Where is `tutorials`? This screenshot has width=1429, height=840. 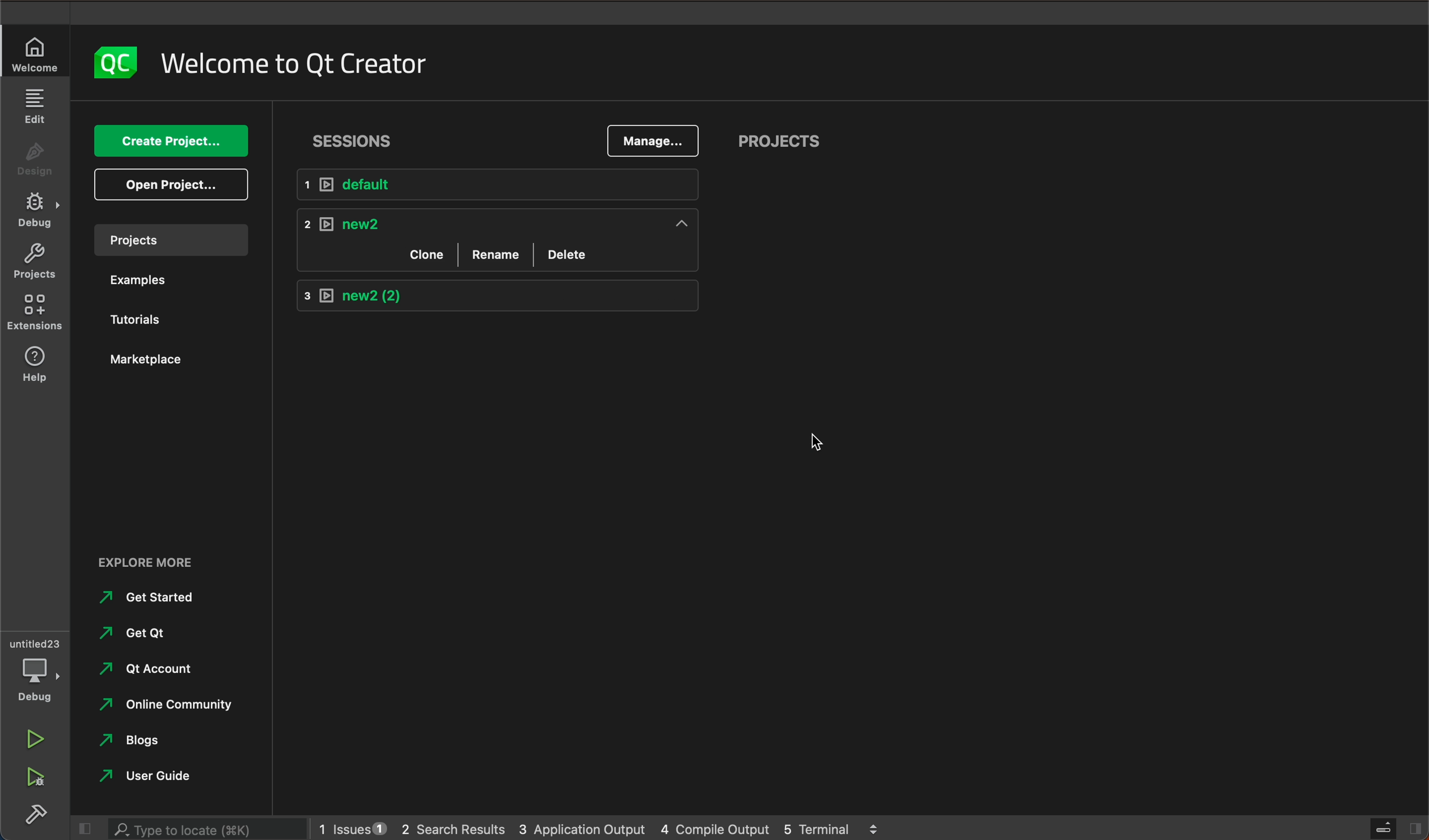
tutorials is located at coordinates (132, 315).